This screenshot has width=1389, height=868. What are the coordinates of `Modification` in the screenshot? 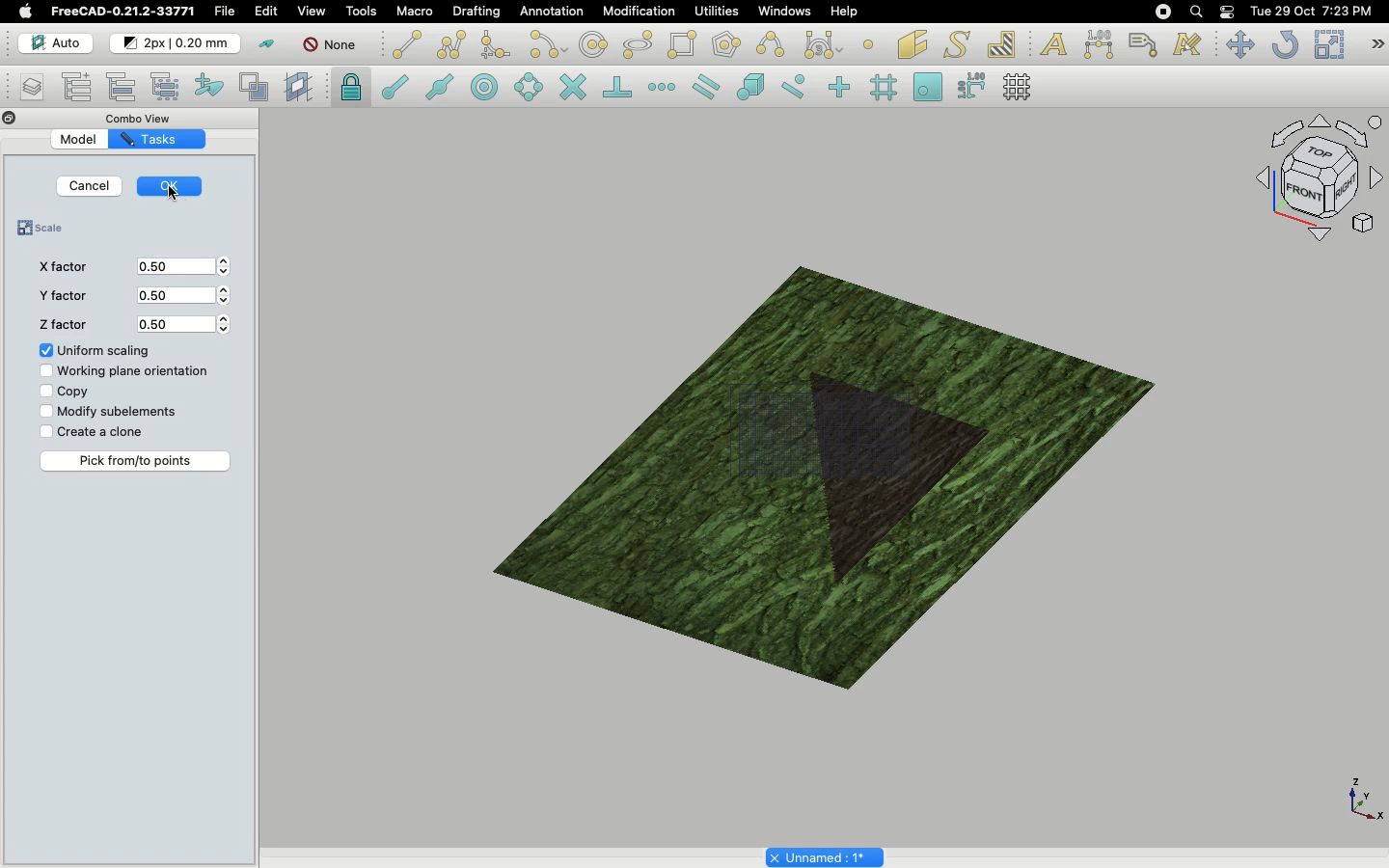 It's located at (633, 11).